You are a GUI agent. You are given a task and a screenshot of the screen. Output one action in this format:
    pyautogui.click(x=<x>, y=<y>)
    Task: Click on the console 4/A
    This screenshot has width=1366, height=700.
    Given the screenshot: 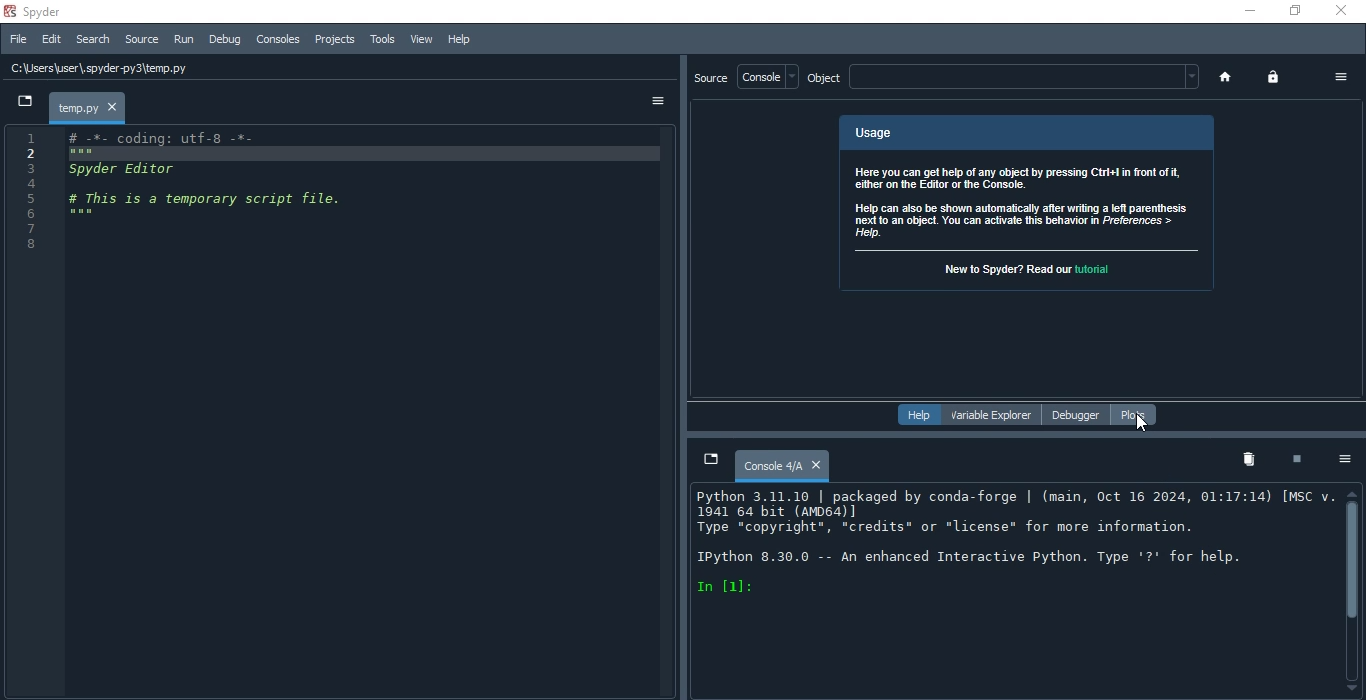 What is the action you would take?
    pyautogui.click(x=781, y=466)
    